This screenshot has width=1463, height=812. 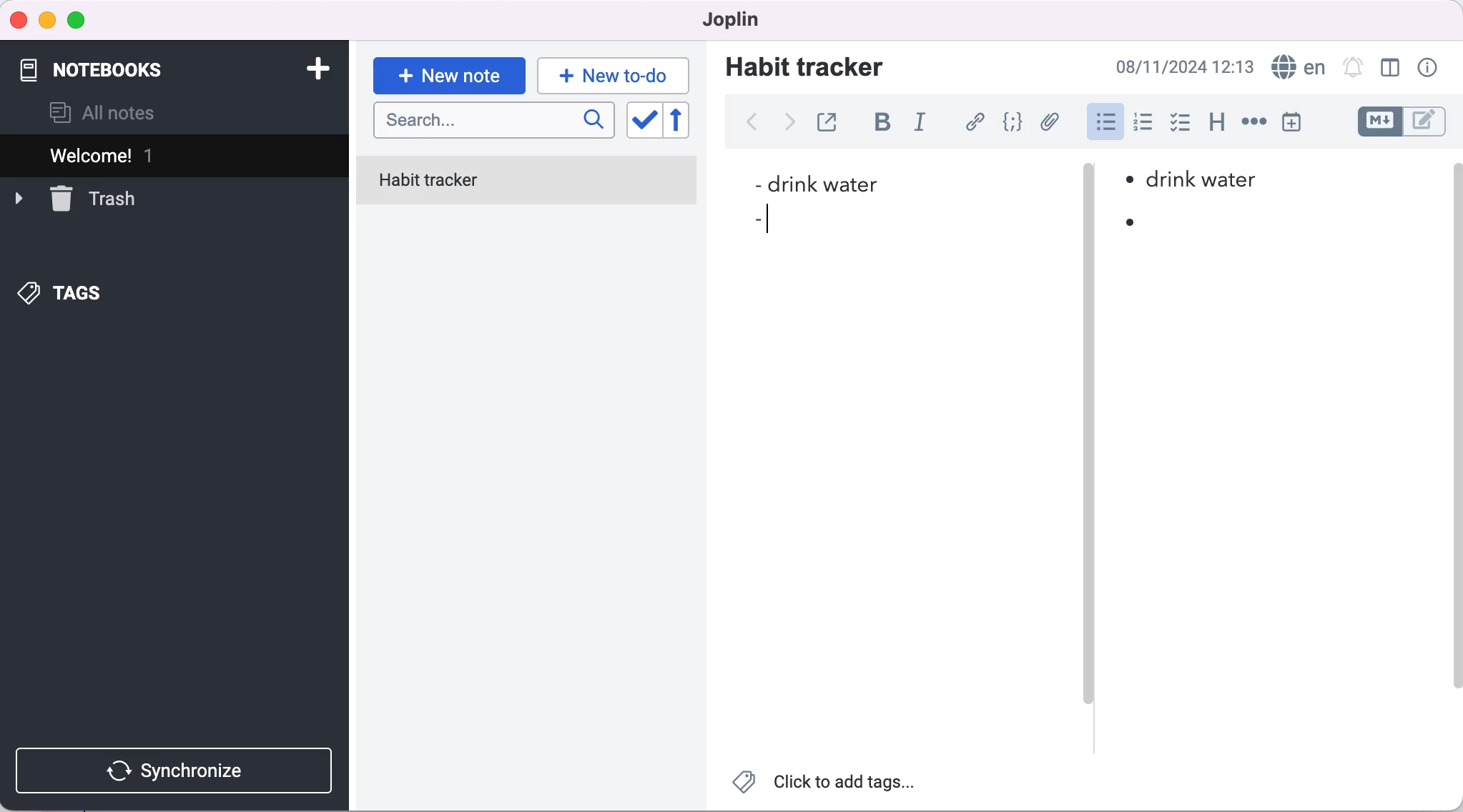 I want to click on habit tracker, so click(x=804, y=66).